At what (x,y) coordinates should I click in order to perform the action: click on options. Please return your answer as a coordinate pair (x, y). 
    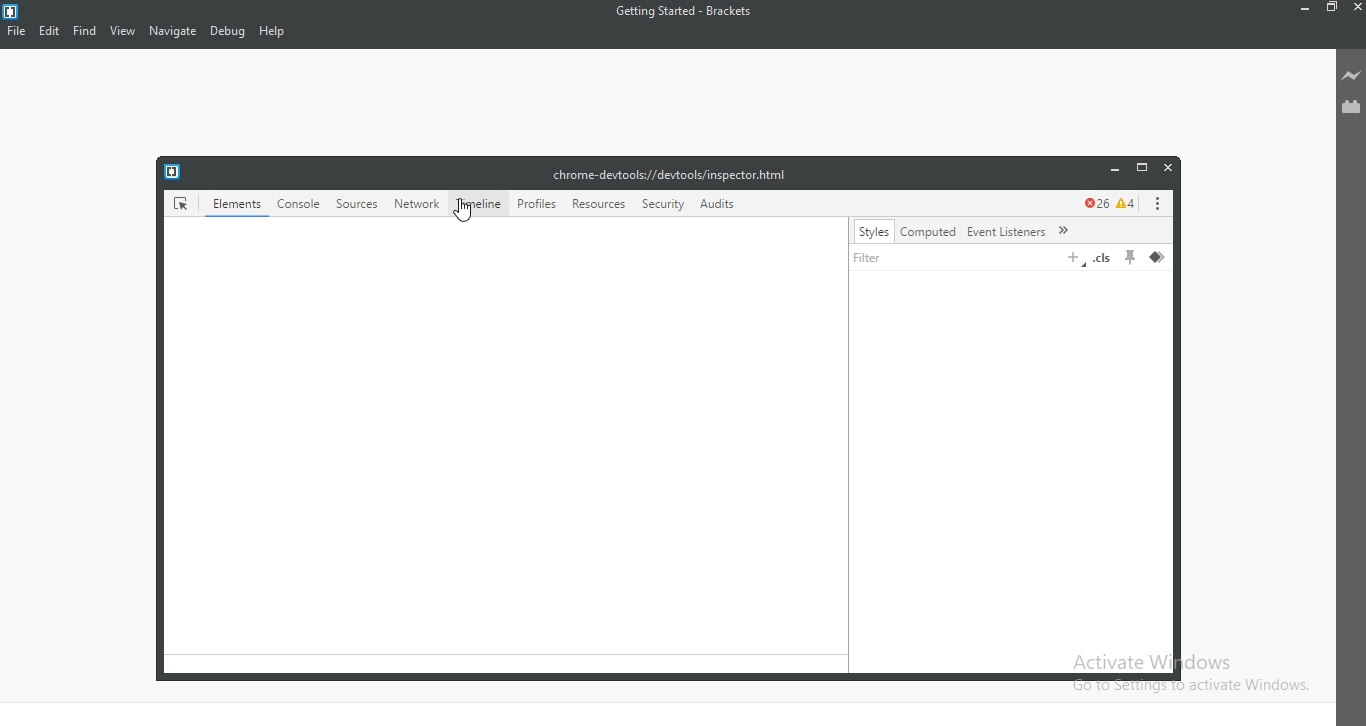
    Looking at the image, I should click on (1155, 205).